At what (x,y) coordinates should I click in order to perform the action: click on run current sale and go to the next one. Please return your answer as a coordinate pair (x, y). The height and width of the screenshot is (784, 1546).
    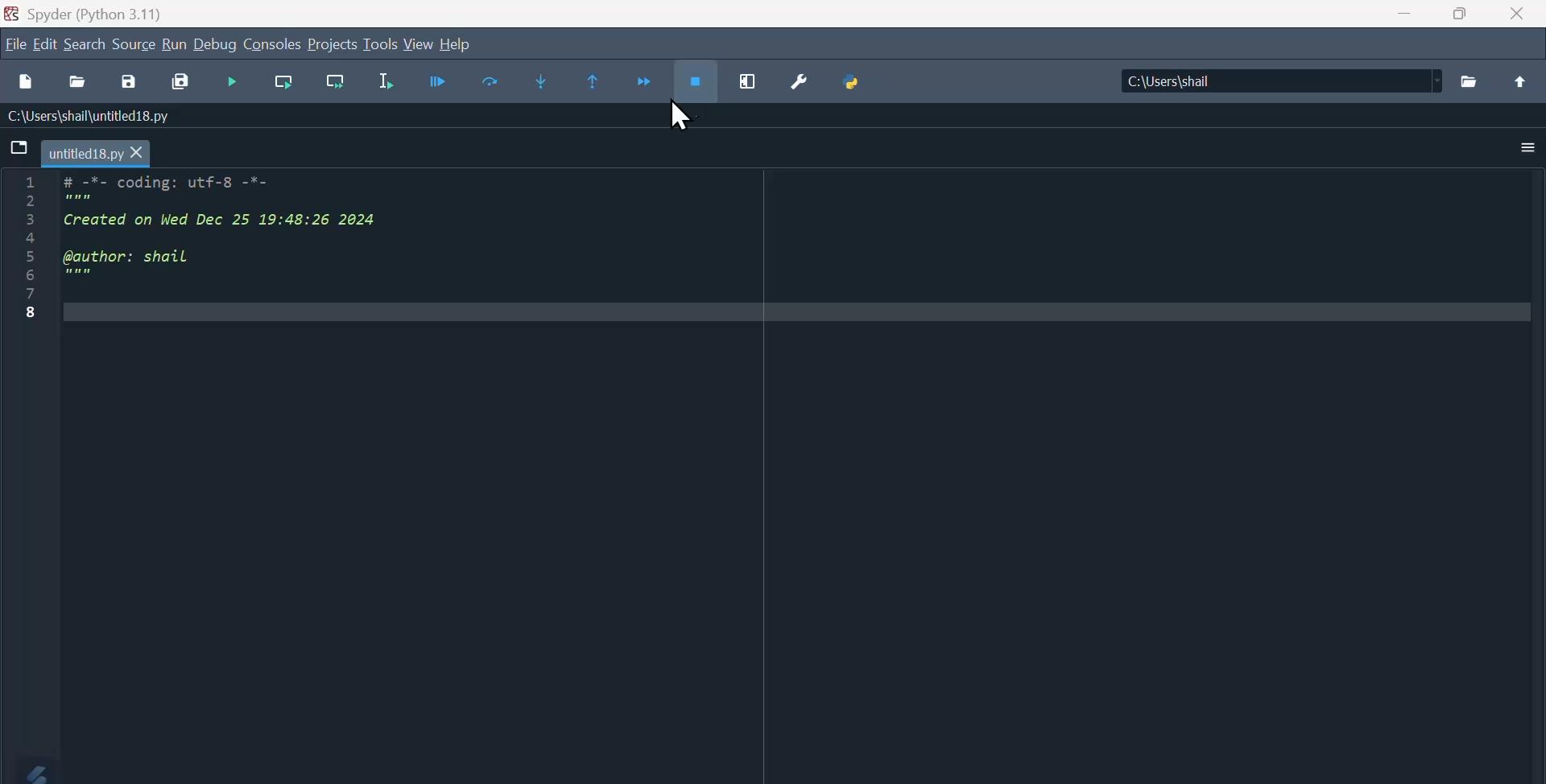
    Looking at the image, I should click on (338, 80).